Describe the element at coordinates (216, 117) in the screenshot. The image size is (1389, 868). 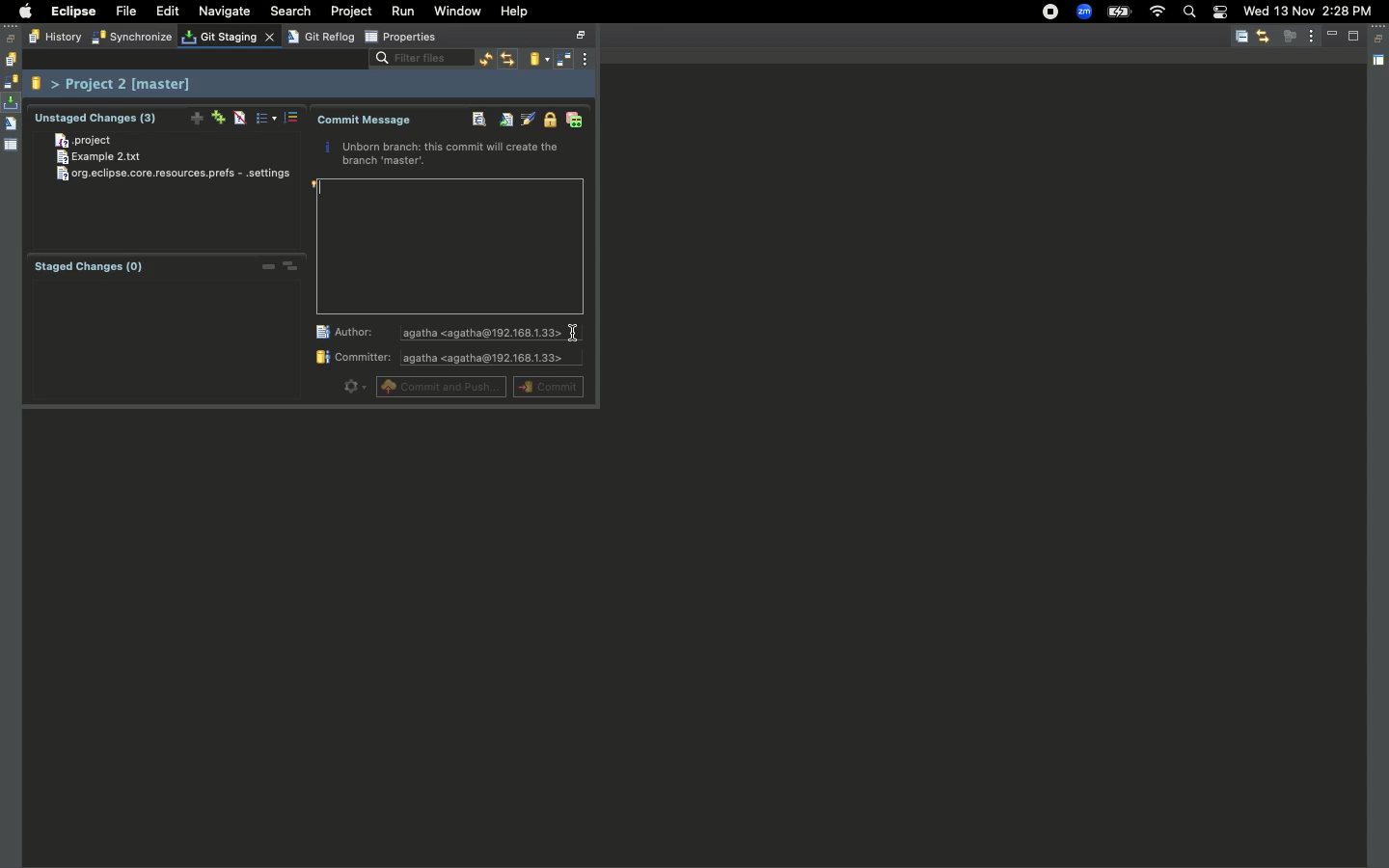
I see `Add all files` at that location.